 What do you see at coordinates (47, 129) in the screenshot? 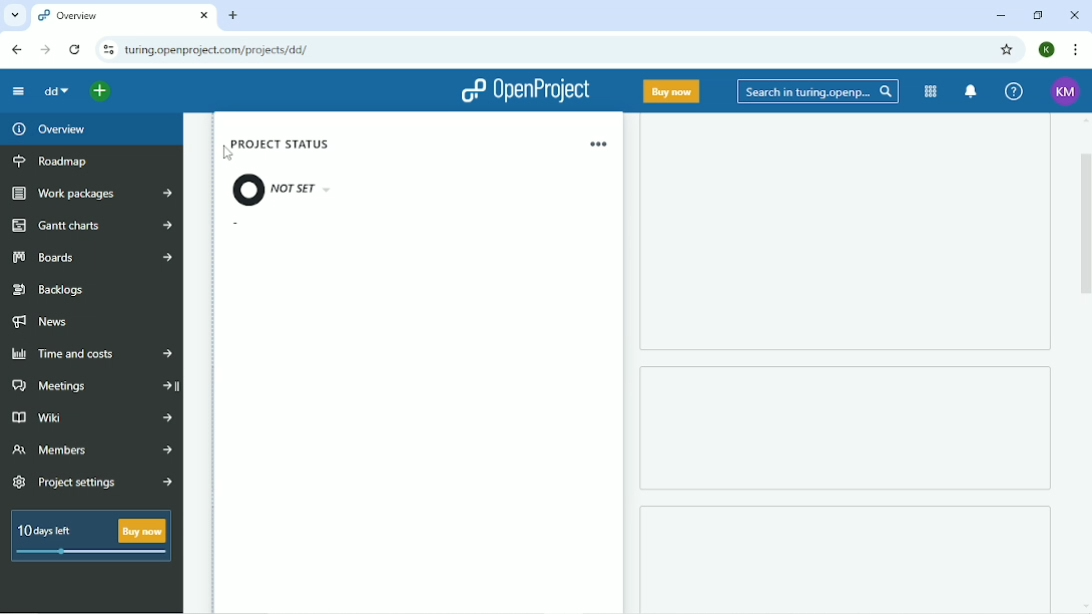
I see `Overview` at bounding box center [47, 129].